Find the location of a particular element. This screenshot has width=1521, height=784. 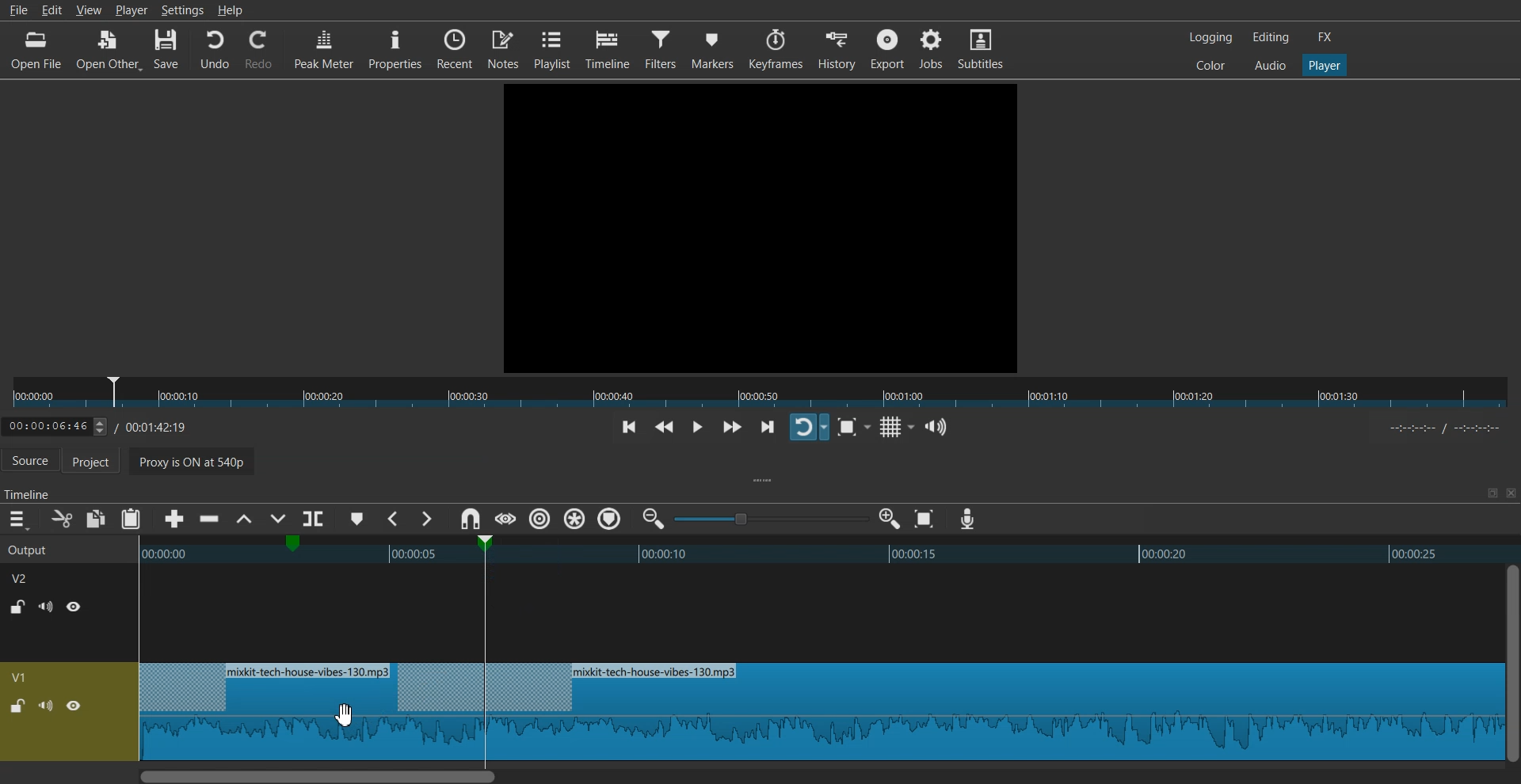

Ripple delete is located at coordinates (210, 519).